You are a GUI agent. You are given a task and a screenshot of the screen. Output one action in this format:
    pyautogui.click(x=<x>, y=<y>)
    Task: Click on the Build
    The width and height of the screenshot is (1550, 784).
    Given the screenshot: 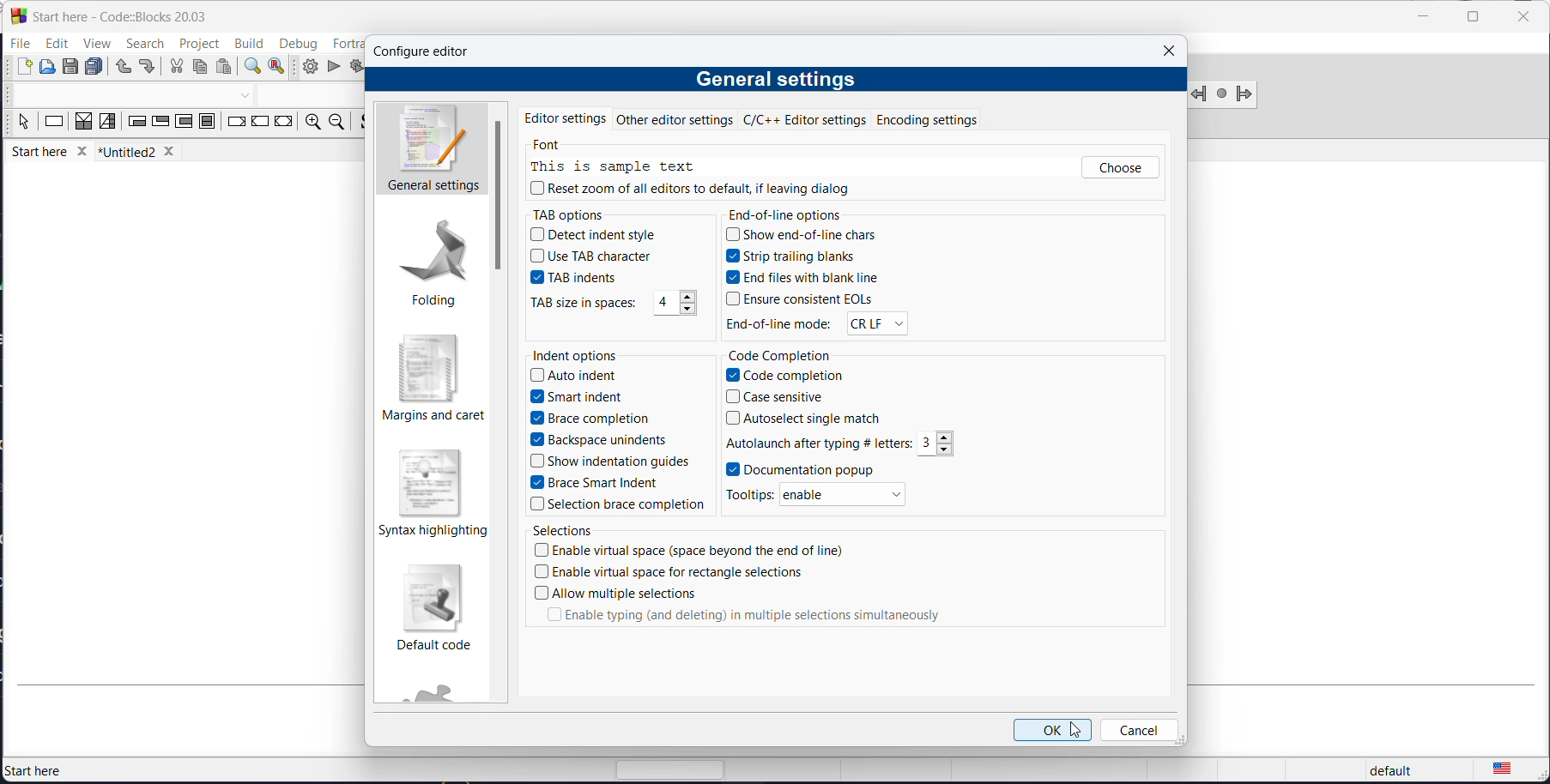 What is the action you would take?
    pyautogui.click(x=247, y=41)
    